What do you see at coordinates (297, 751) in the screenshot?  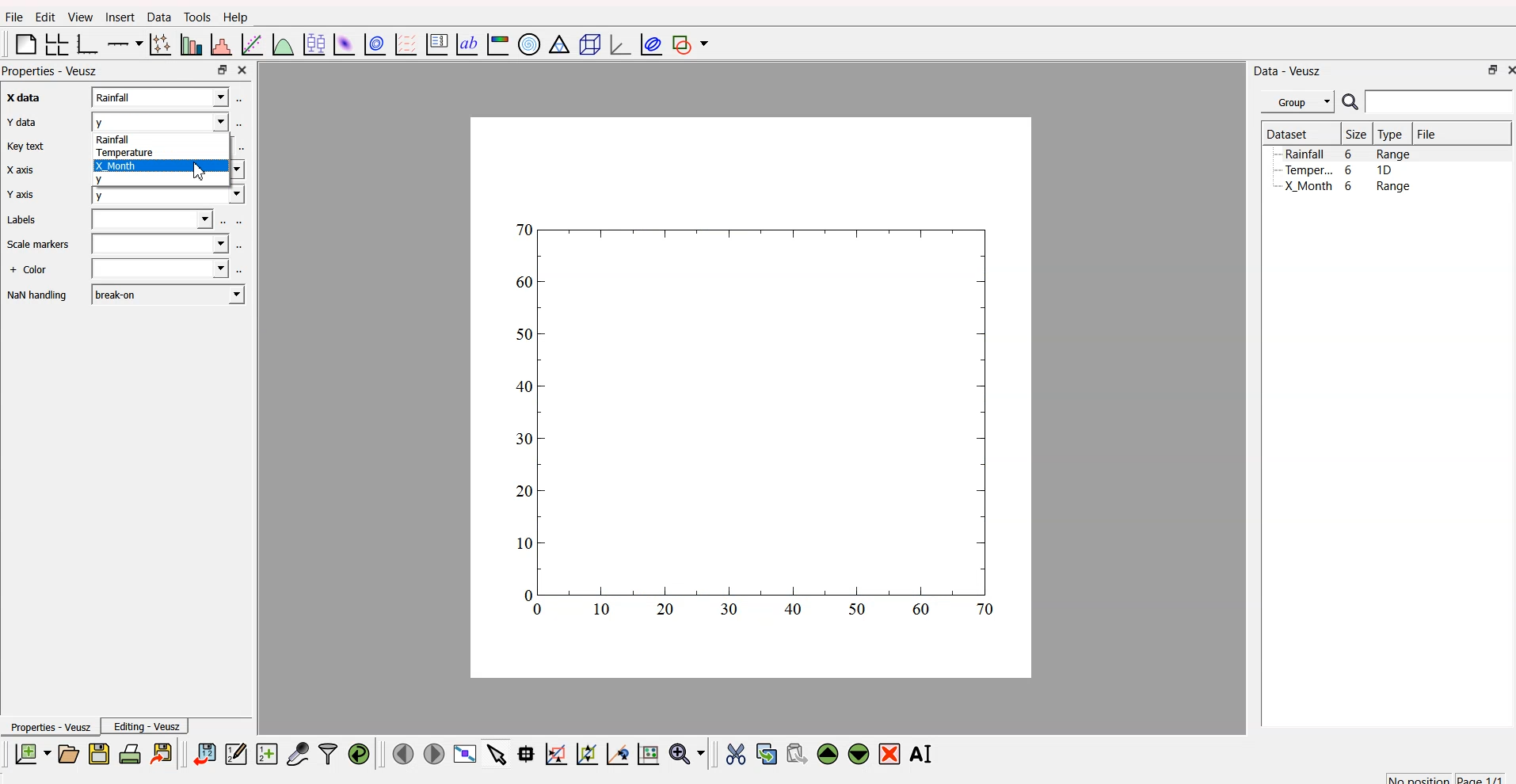 I see `capture a dataset` at bounding box center [297, 751].